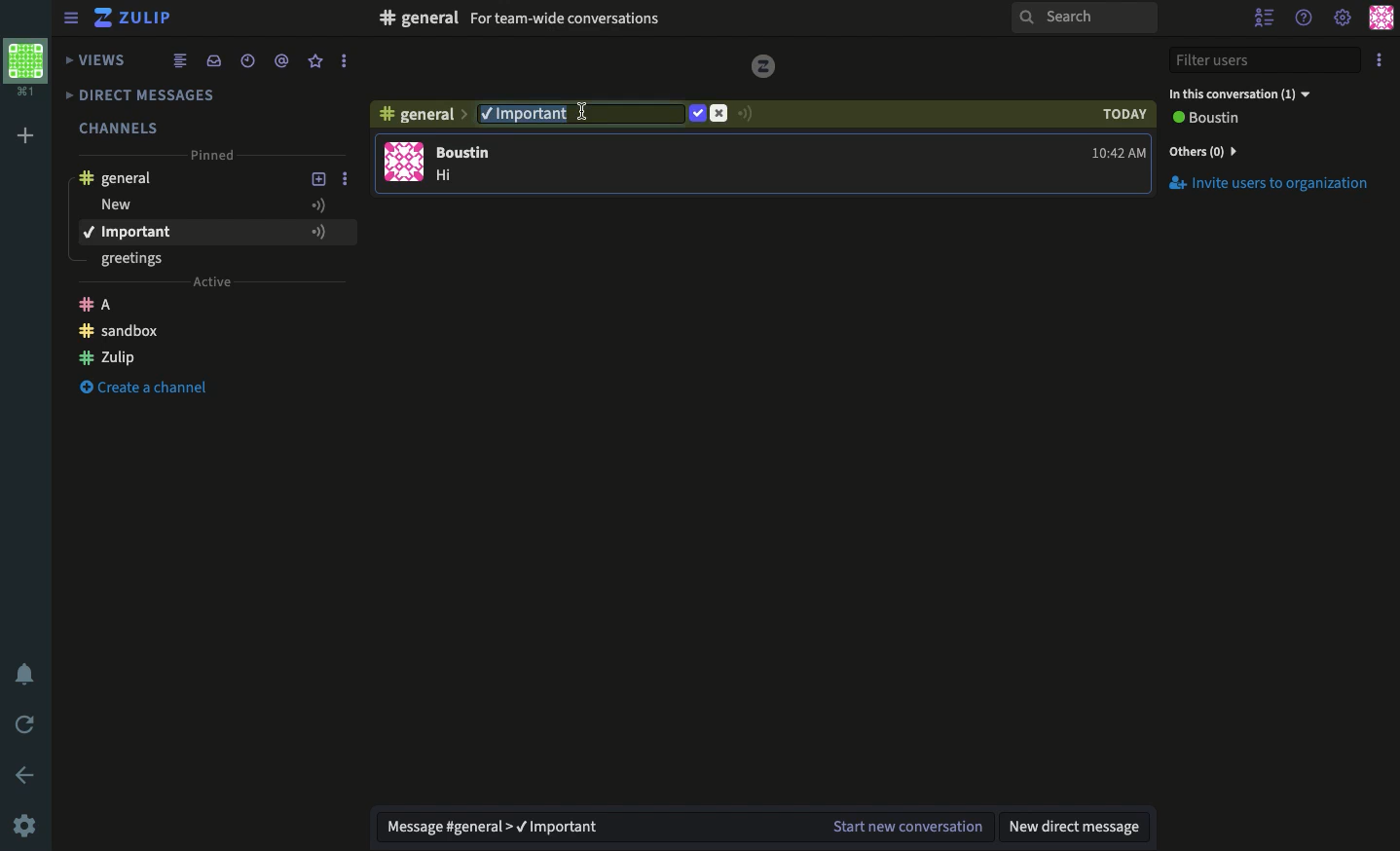 The height and width of the screenshot is (851, 1400). Describe the element at coordinates (696, 113) in the screenshot. I see `Confirm` at that location.